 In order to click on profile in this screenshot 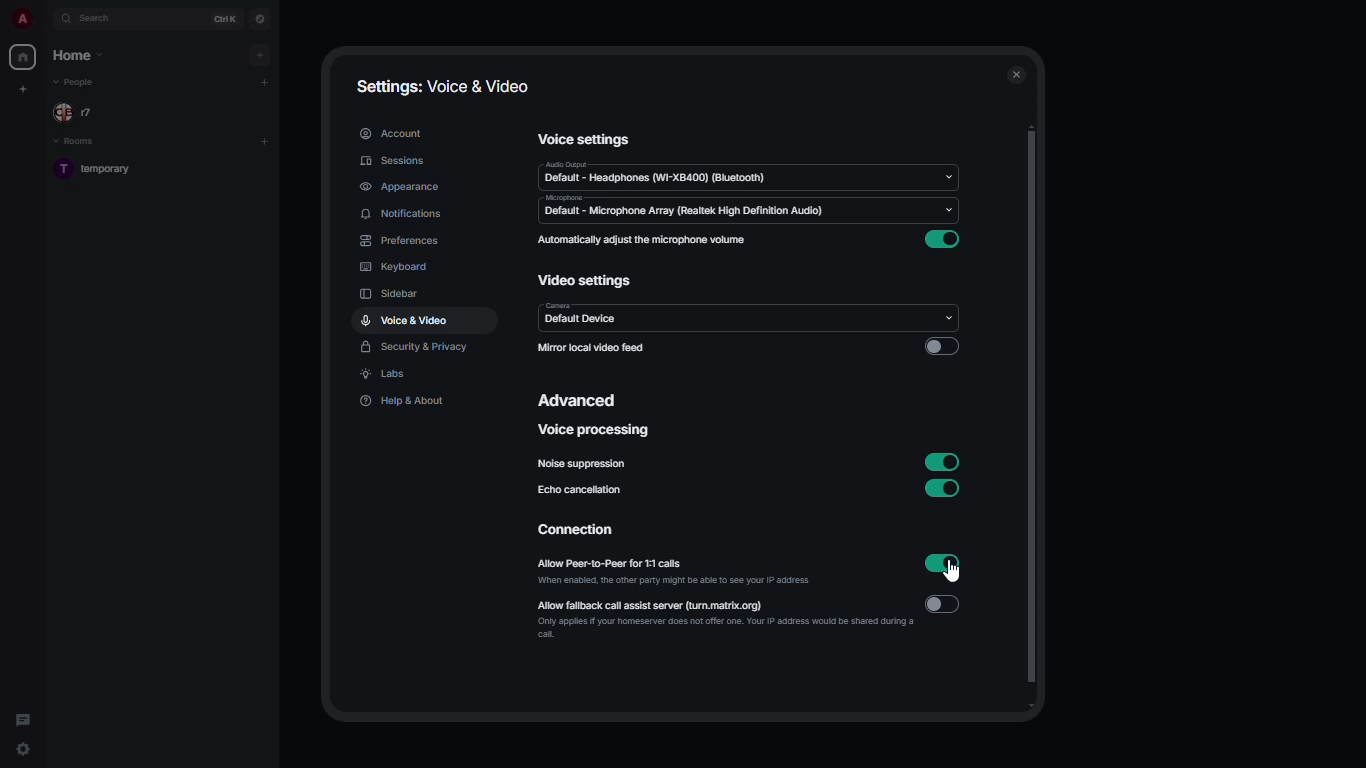, I will do `click(21, 20)`.